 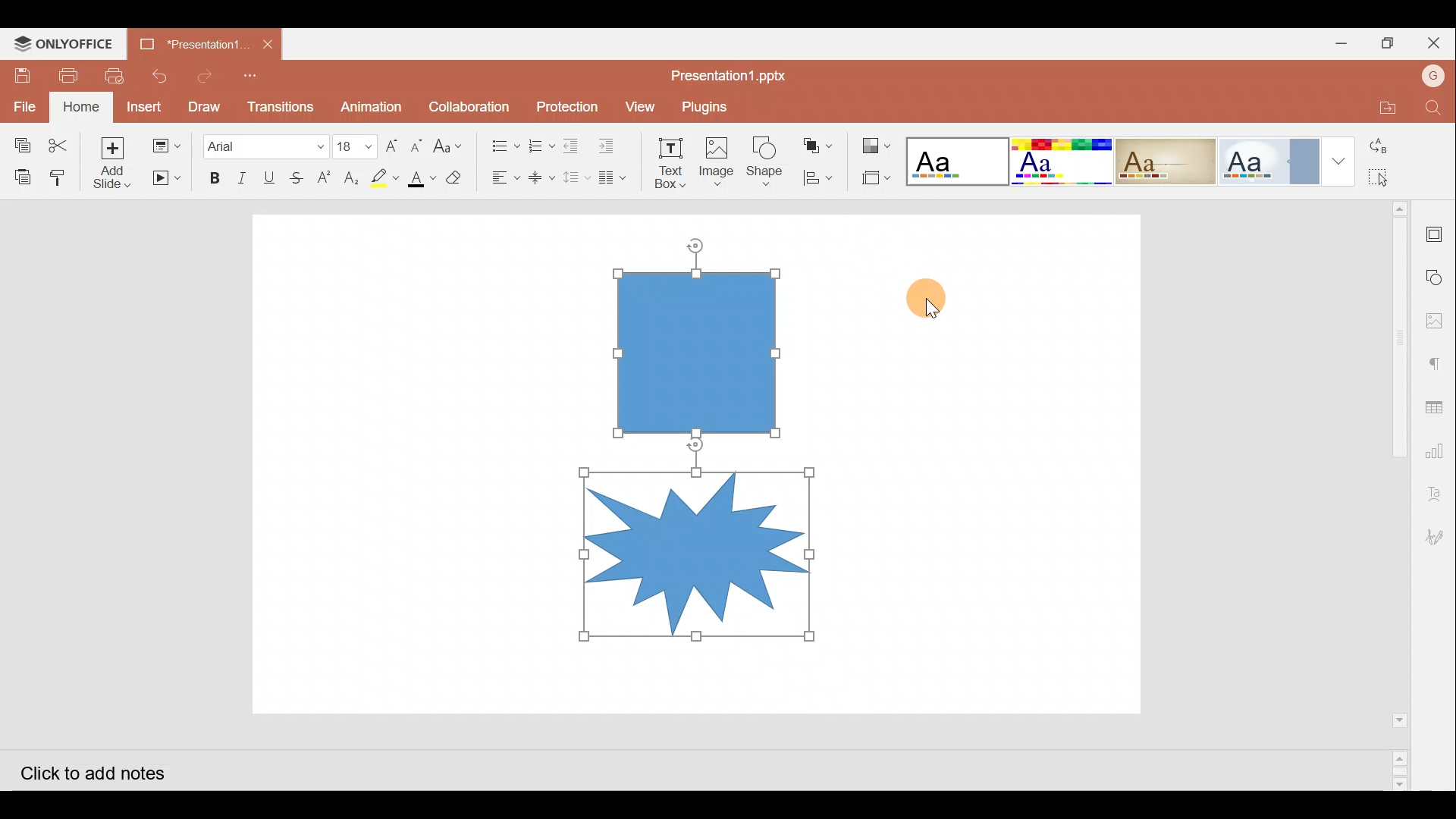 I want to click on Quick print, so click(x=118, y=73).